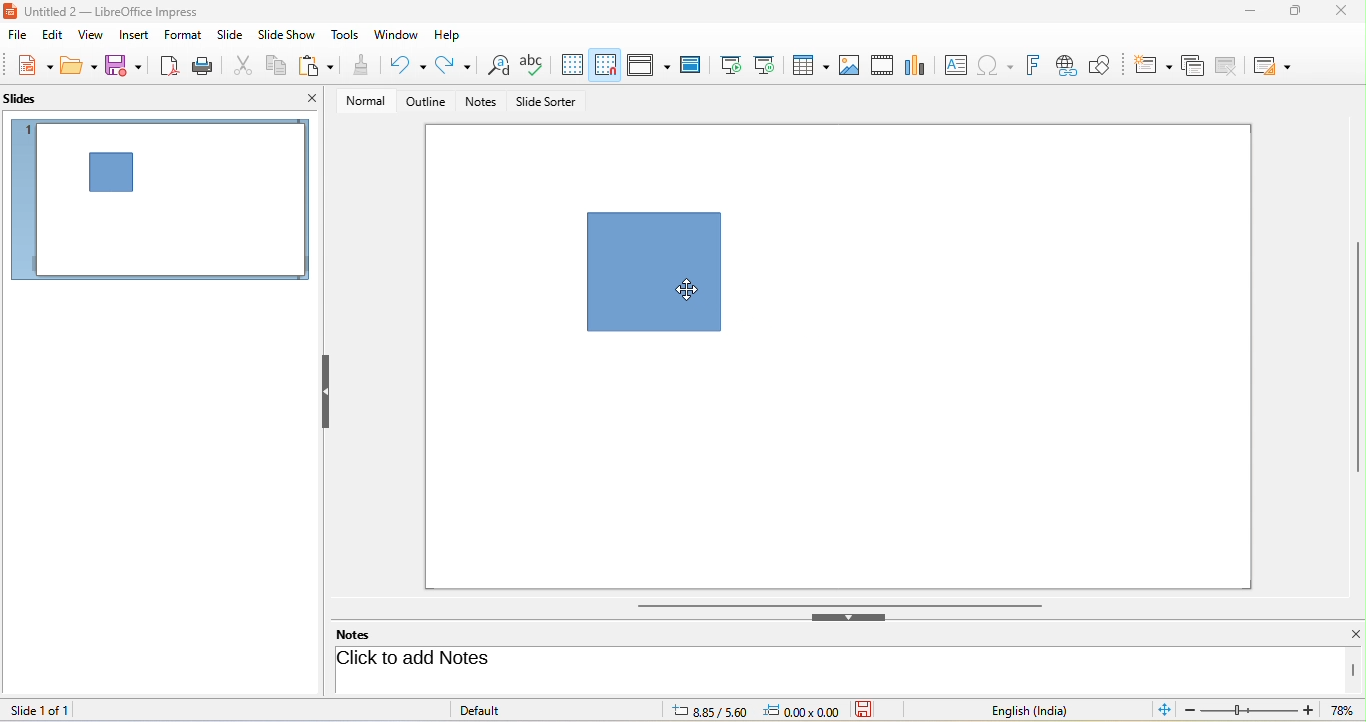 This screenshot has height=722, width=1366. Describe the element at coordinates (312, 98) in the screenshot. I see `close` at that location.